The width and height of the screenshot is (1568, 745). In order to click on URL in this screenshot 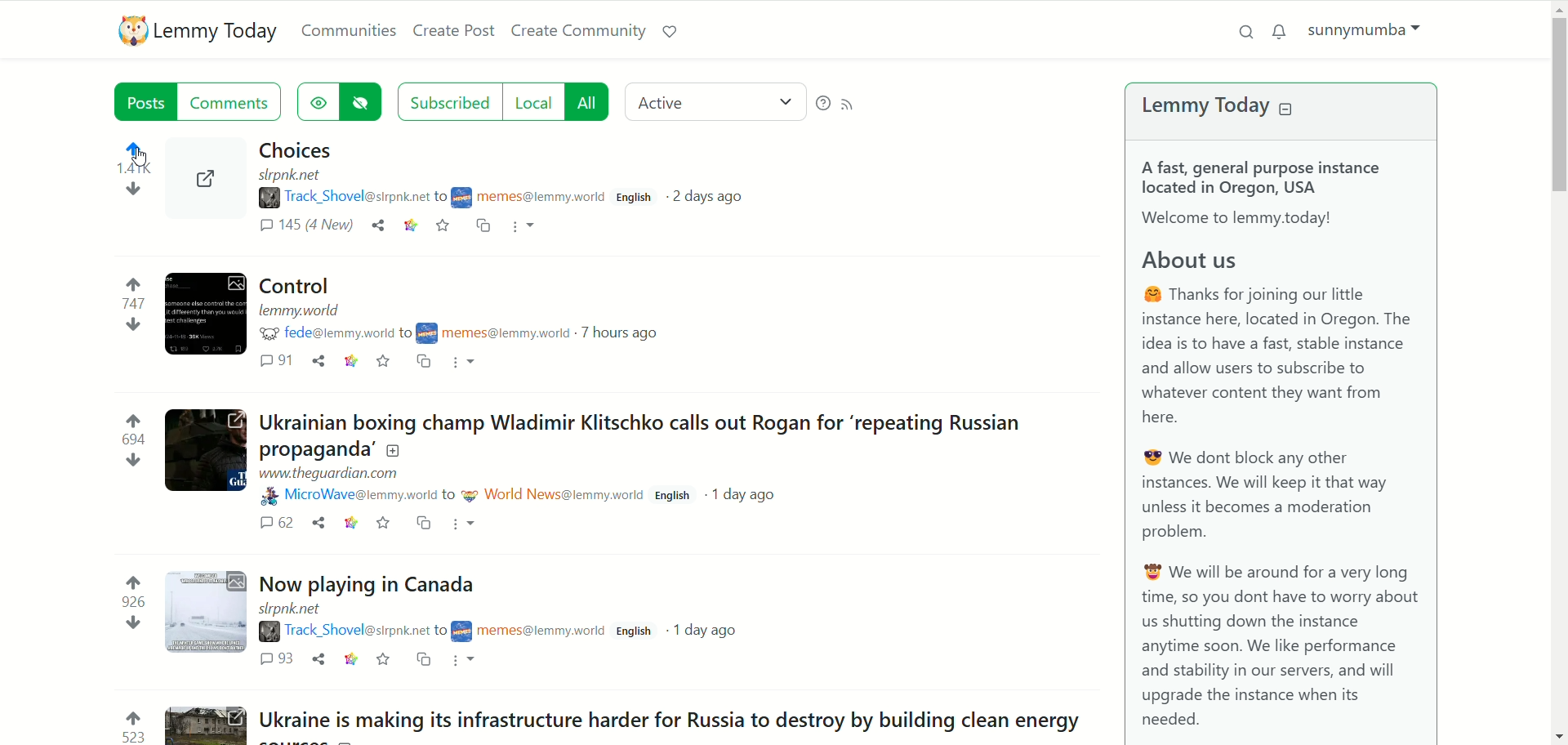, I will do `click(301, 310)`.